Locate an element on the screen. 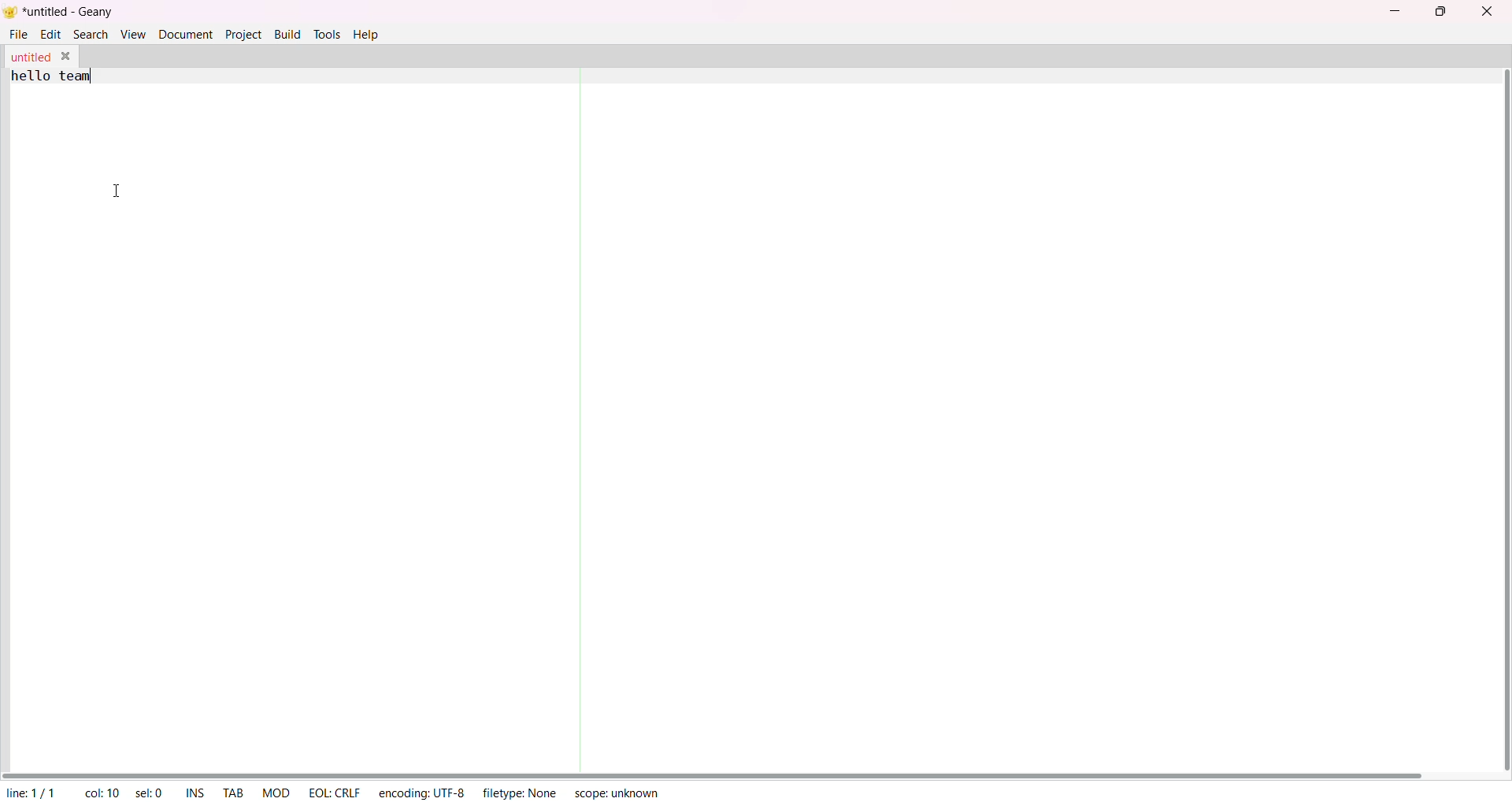 The height and width of the screenshot is (802, 1512). help is located at coordinates (367, 34).